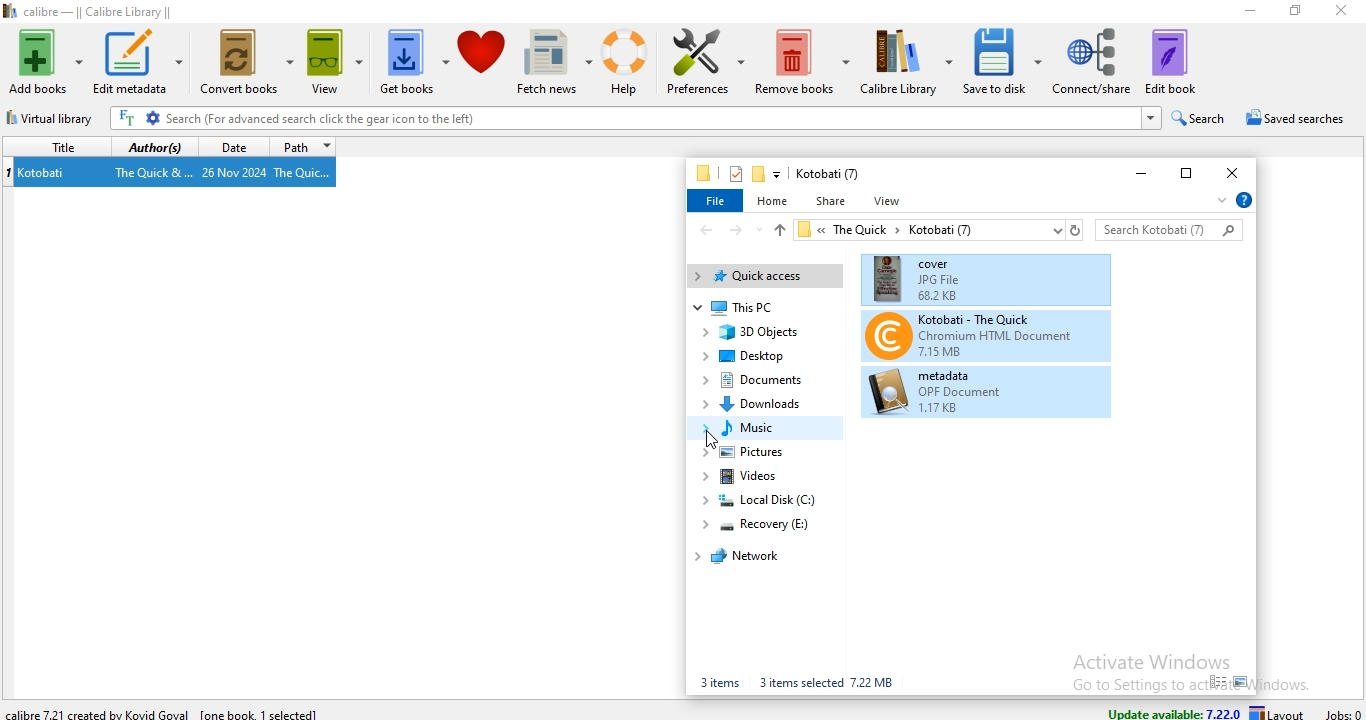 The width and height of the screenshot is (1366, 720). Describe the element at coordinates (481, 61) in the screenshot. I see `donate to calibre` at that location.